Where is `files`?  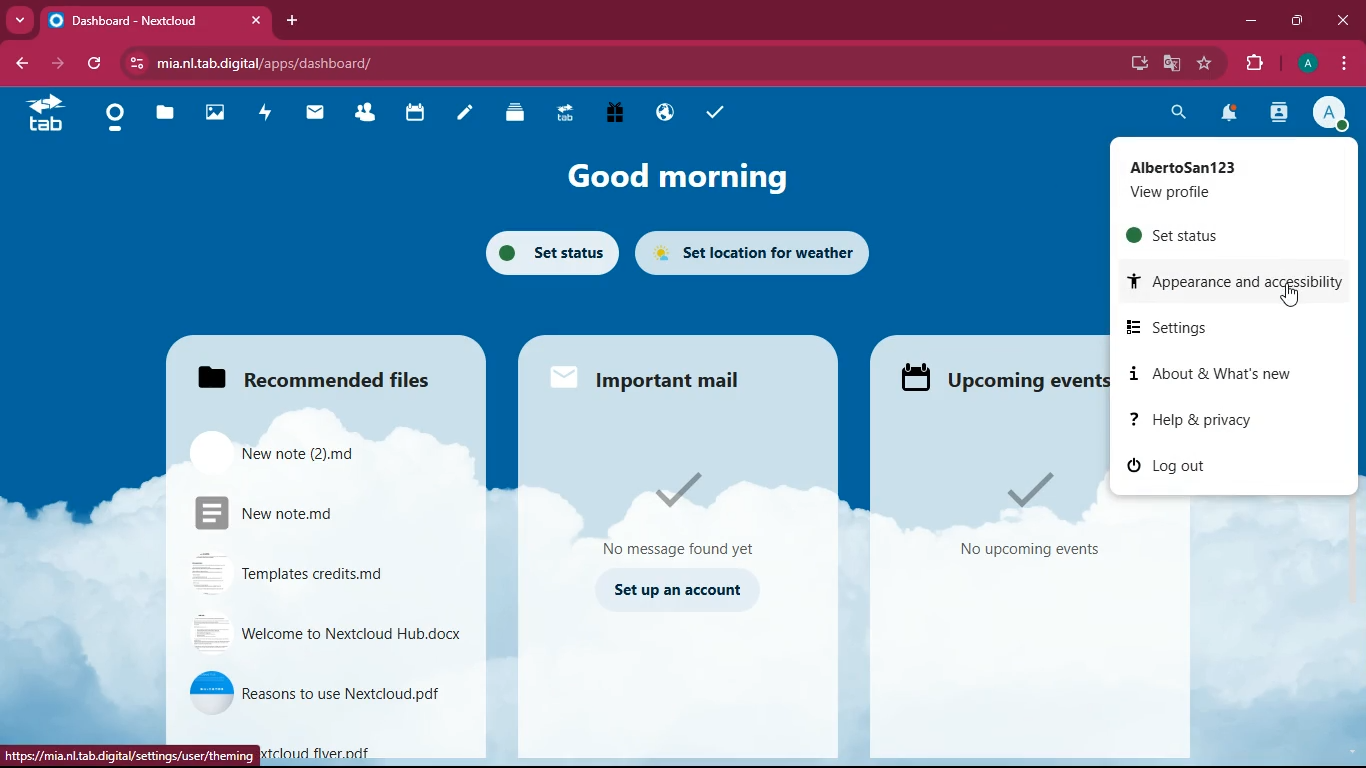 files is located at coordinates (163, 114).